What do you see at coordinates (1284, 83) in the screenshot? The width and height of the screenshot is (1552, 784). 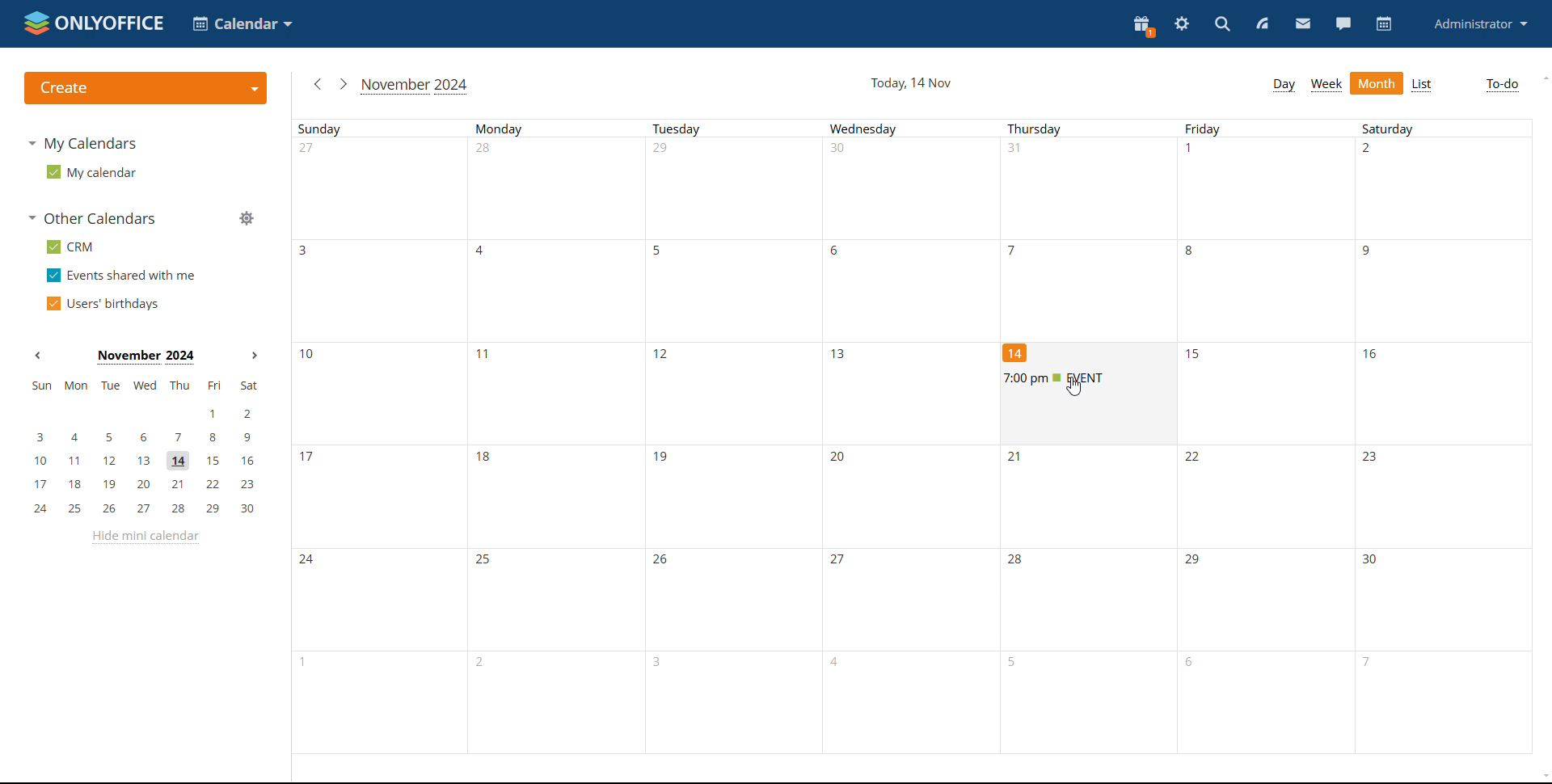 I see `day view` at bounding box center [1284, 83].